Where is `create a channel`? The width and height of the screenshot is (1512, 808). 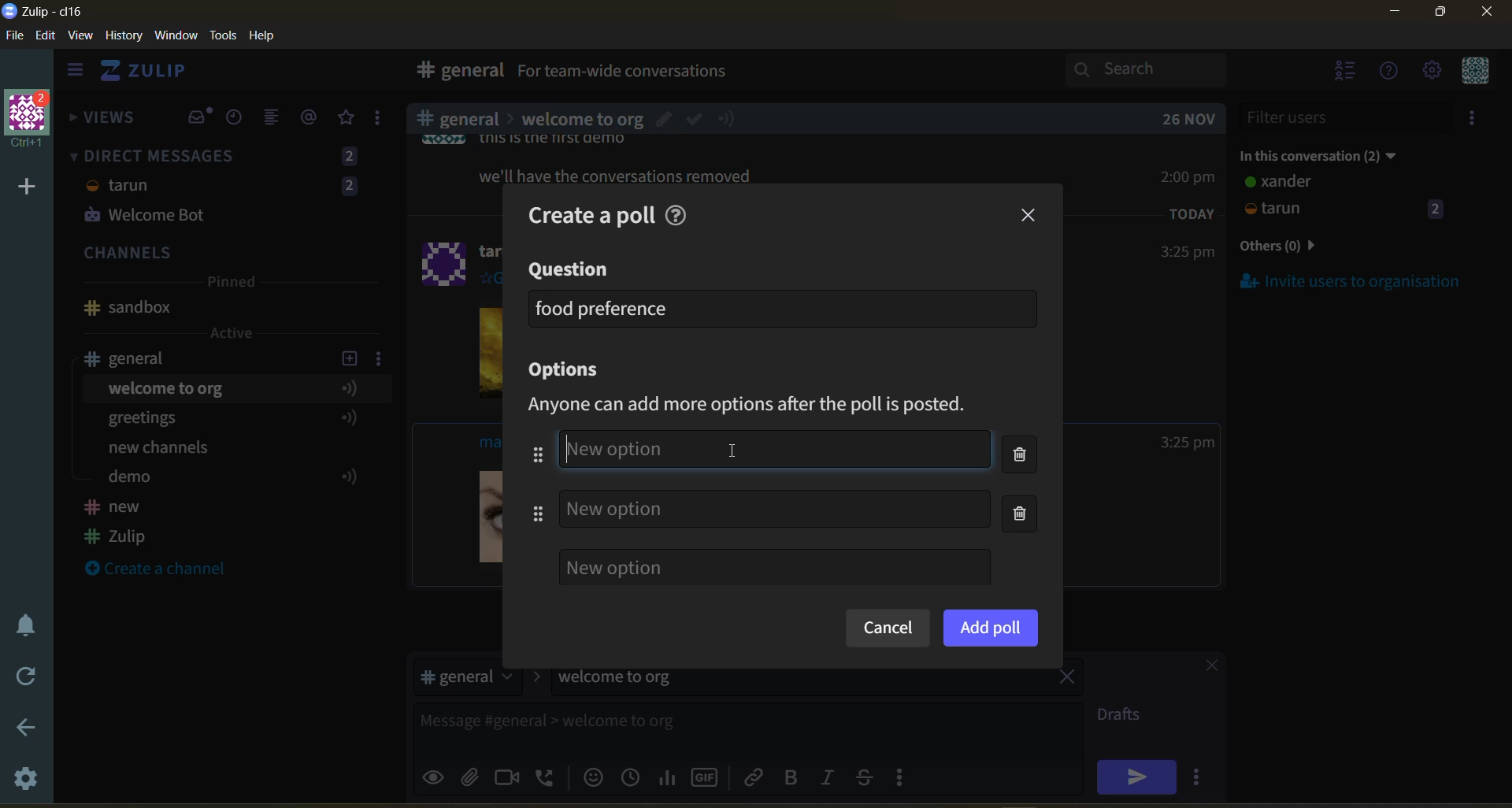 create a channel is located at coordinates (165, 570).